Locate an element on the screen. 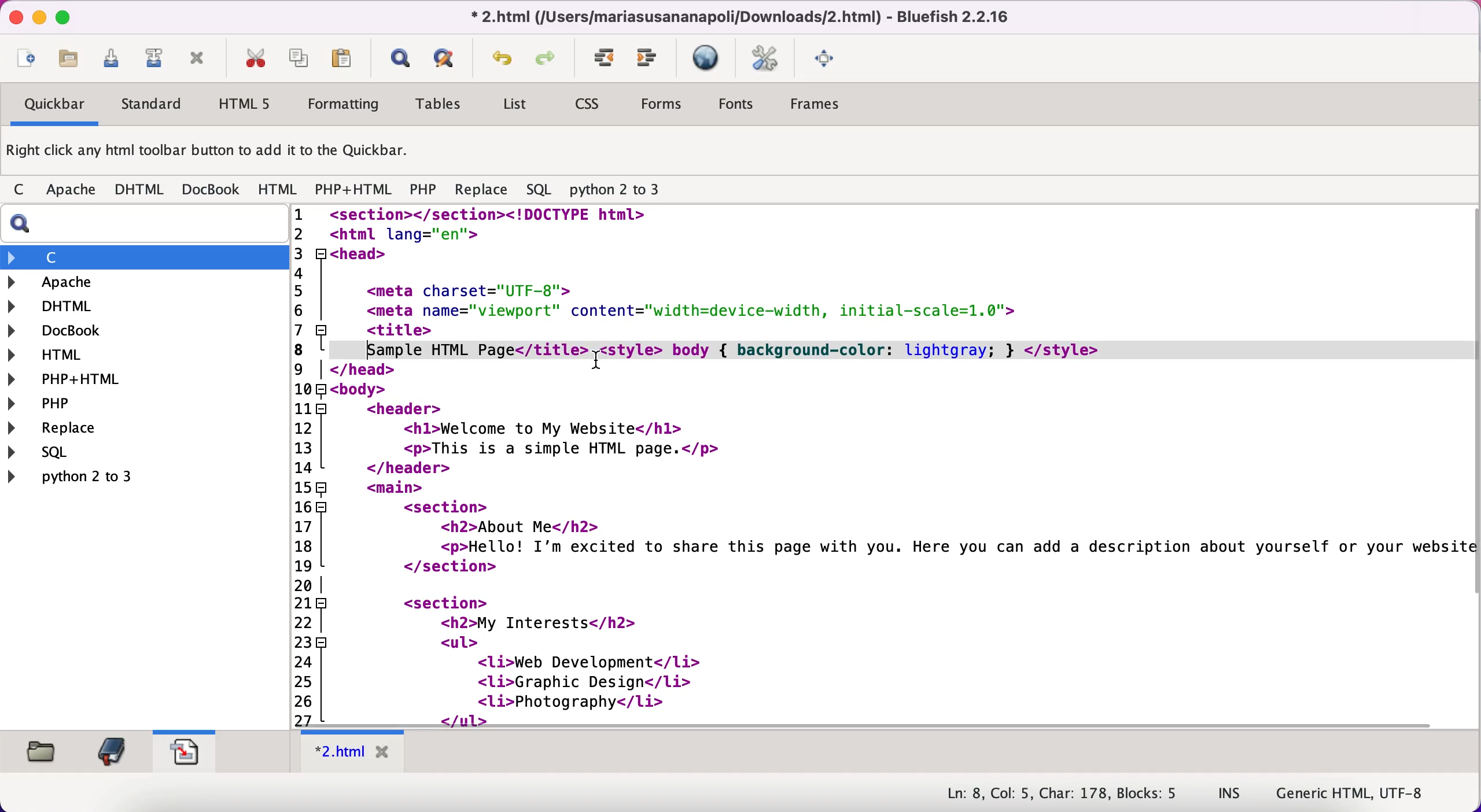  Html code to create a website. It talks about "This is my website" in the header. In the <main> section it says "Hello! I am excited to share this page with you." It also lists different interests under "My interests" and provides the html code for designing the entire structure of the website.  is located at coordinates (906, 466).